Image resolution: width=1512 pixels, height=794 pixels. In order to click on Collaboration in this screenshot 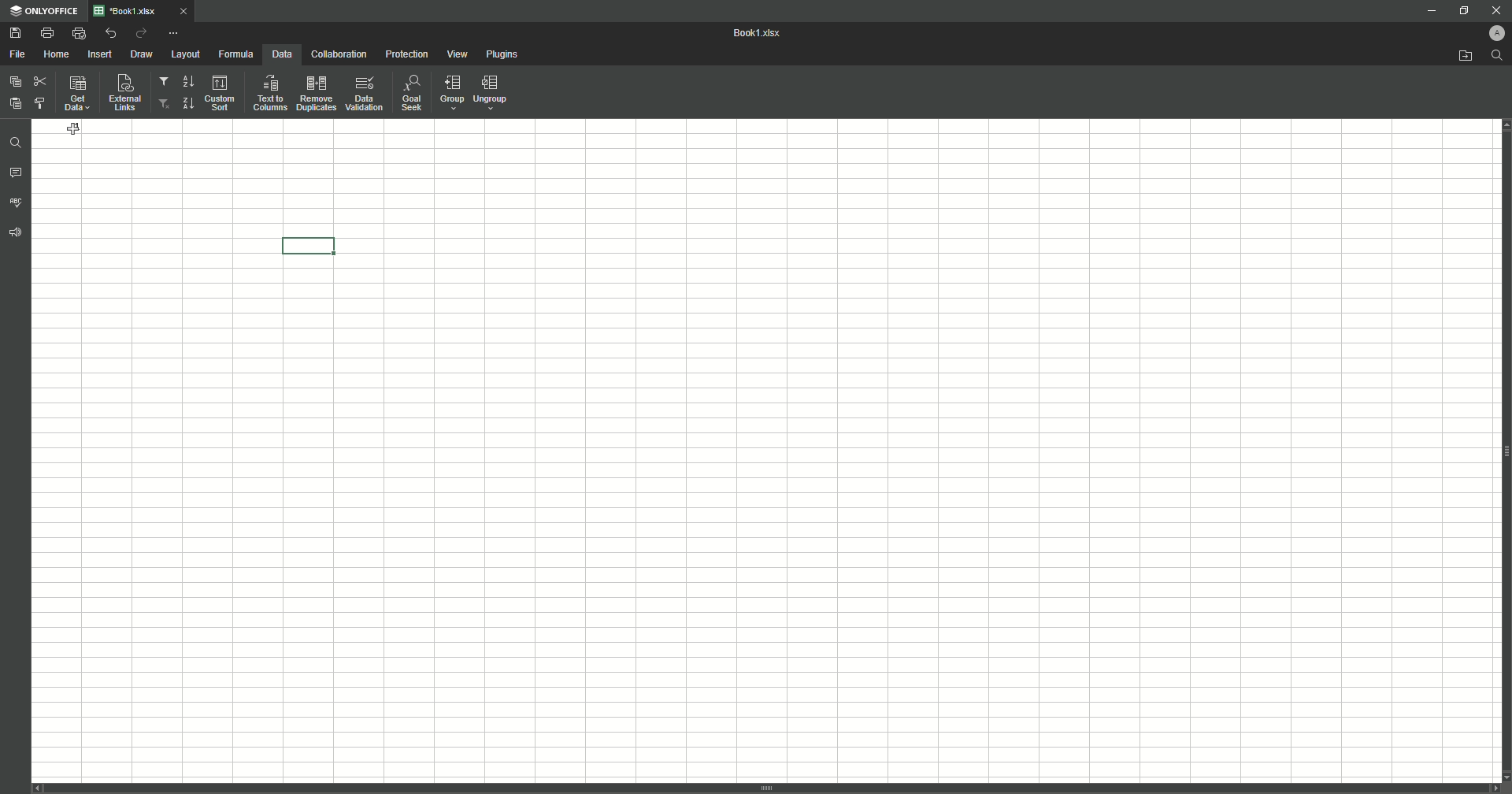, I will do `click(338, 55)`.